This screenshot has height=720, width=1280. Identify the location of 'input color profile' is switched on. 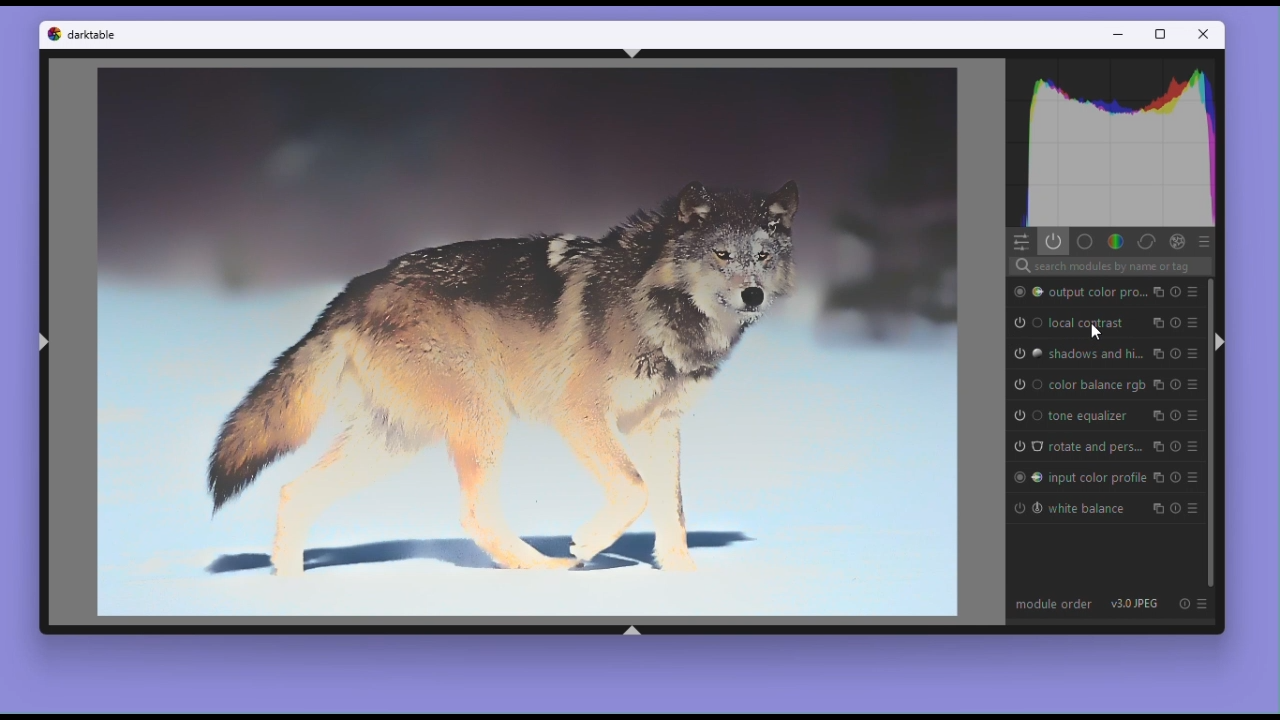
(1026, 477).